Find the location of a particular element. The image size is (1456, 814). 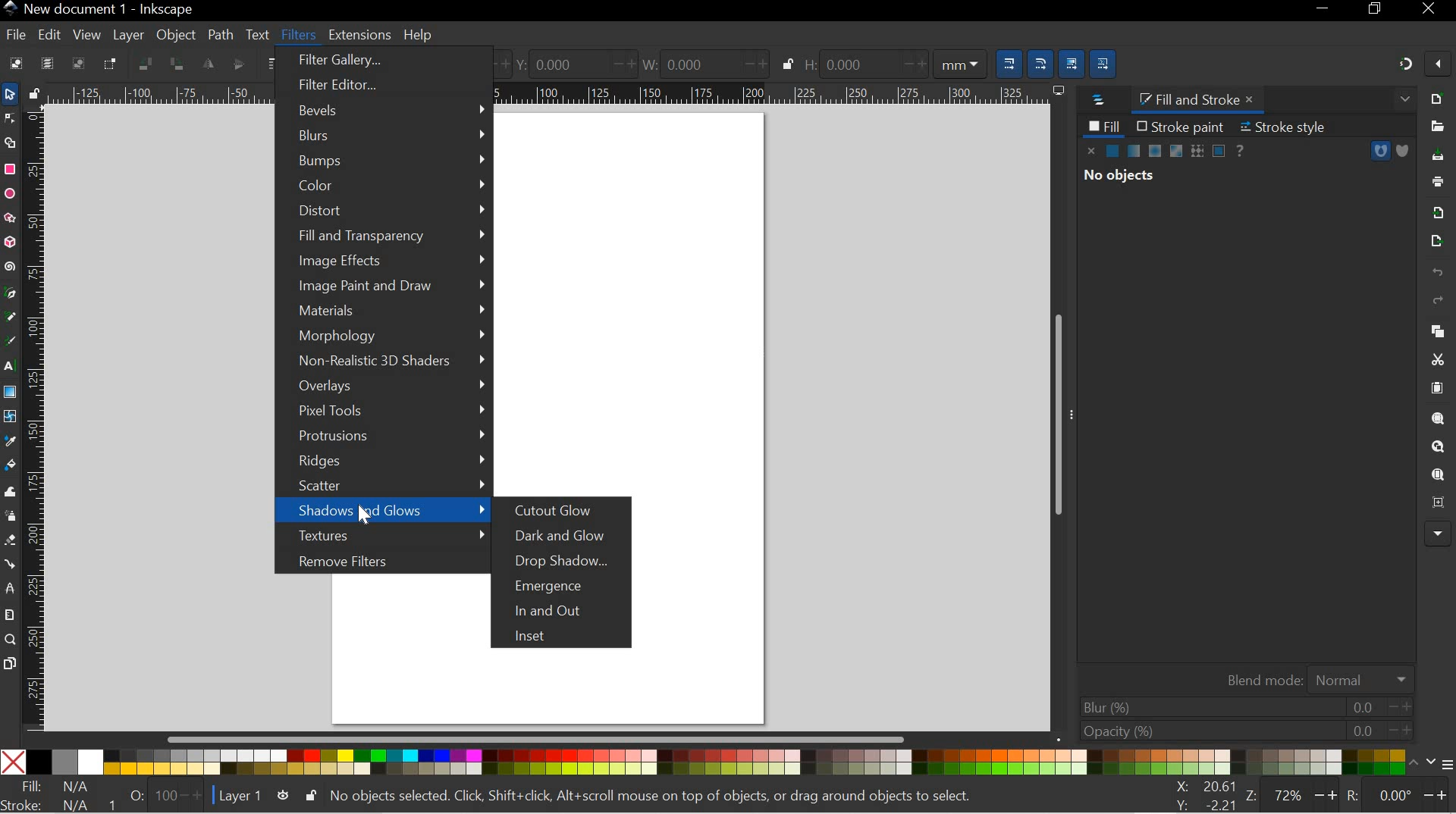

Y-AXIS is located at coordinates (570, 63).